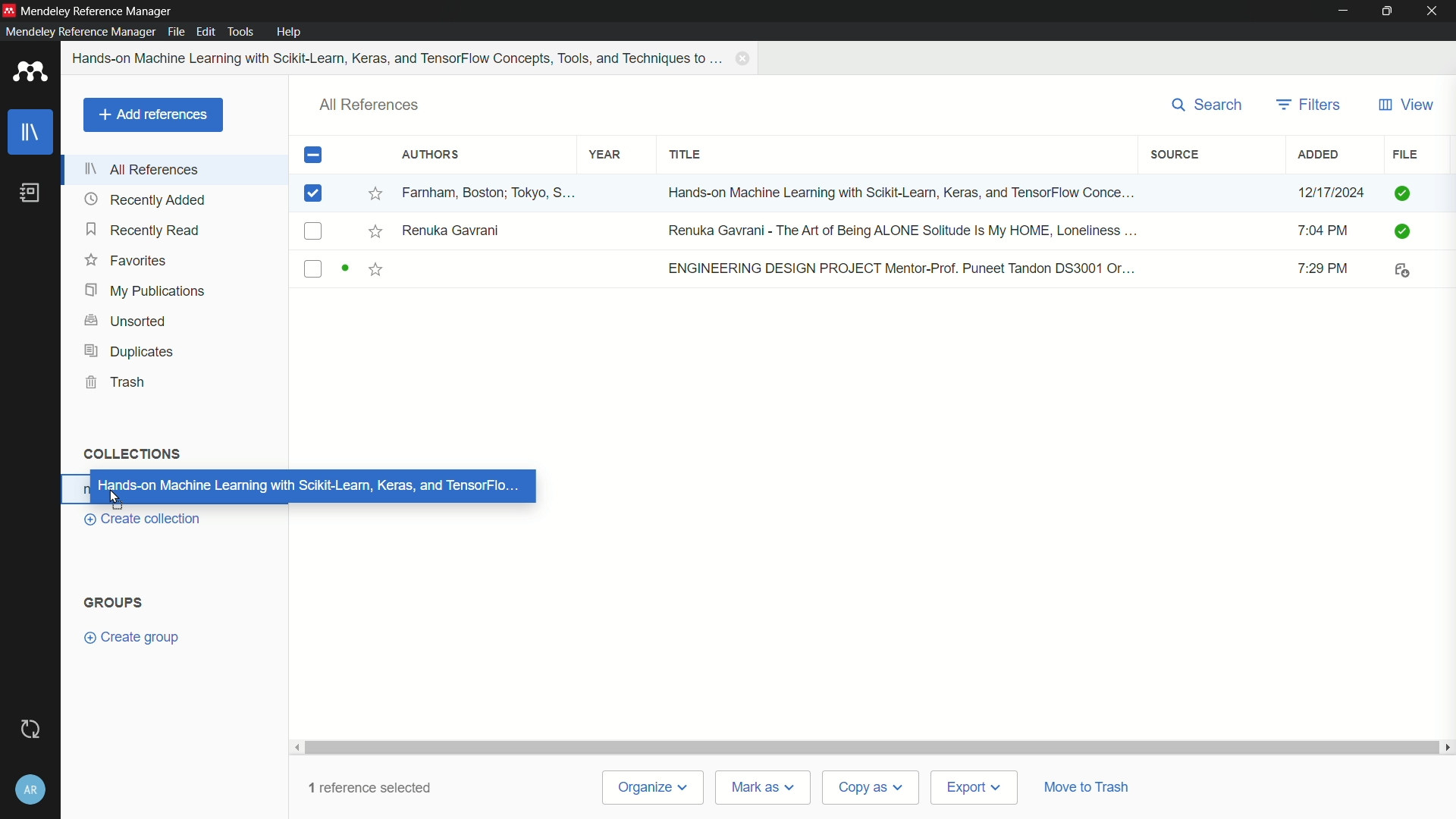  What do you see at coordinates (745, 58) in the screenshot?
I see `close book` at bounding box center [745, 58].